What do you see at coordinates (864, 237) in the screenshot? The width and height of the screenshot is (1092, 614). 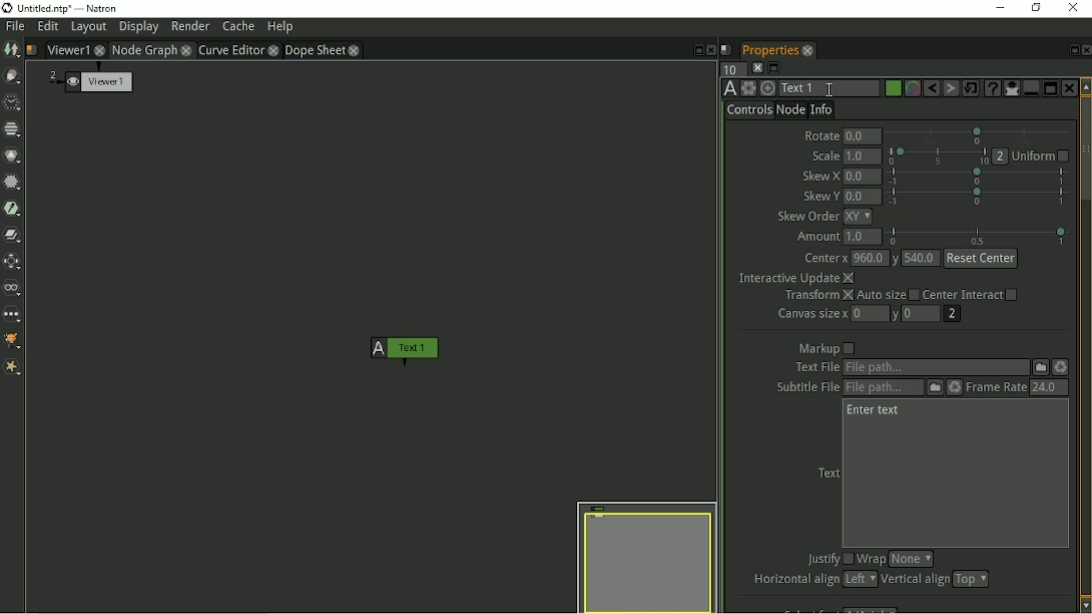 I see `1.0` at bounding box center [864, 237].